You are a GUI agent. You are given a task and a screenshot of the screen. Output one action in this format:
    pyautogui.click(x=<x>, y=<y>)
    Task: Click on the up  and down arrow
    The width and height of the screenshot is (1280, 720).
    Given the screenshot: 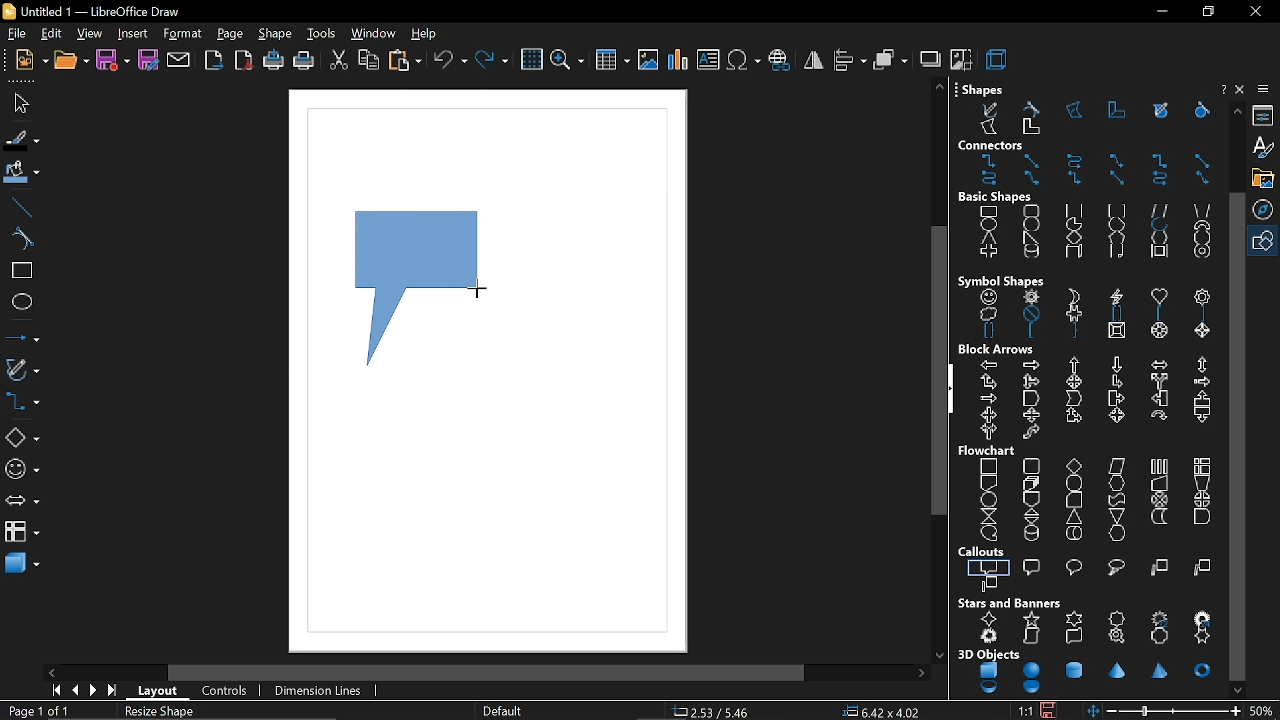 What is the action you would take?
    pyautogui.click(x=1200, y=365)
    